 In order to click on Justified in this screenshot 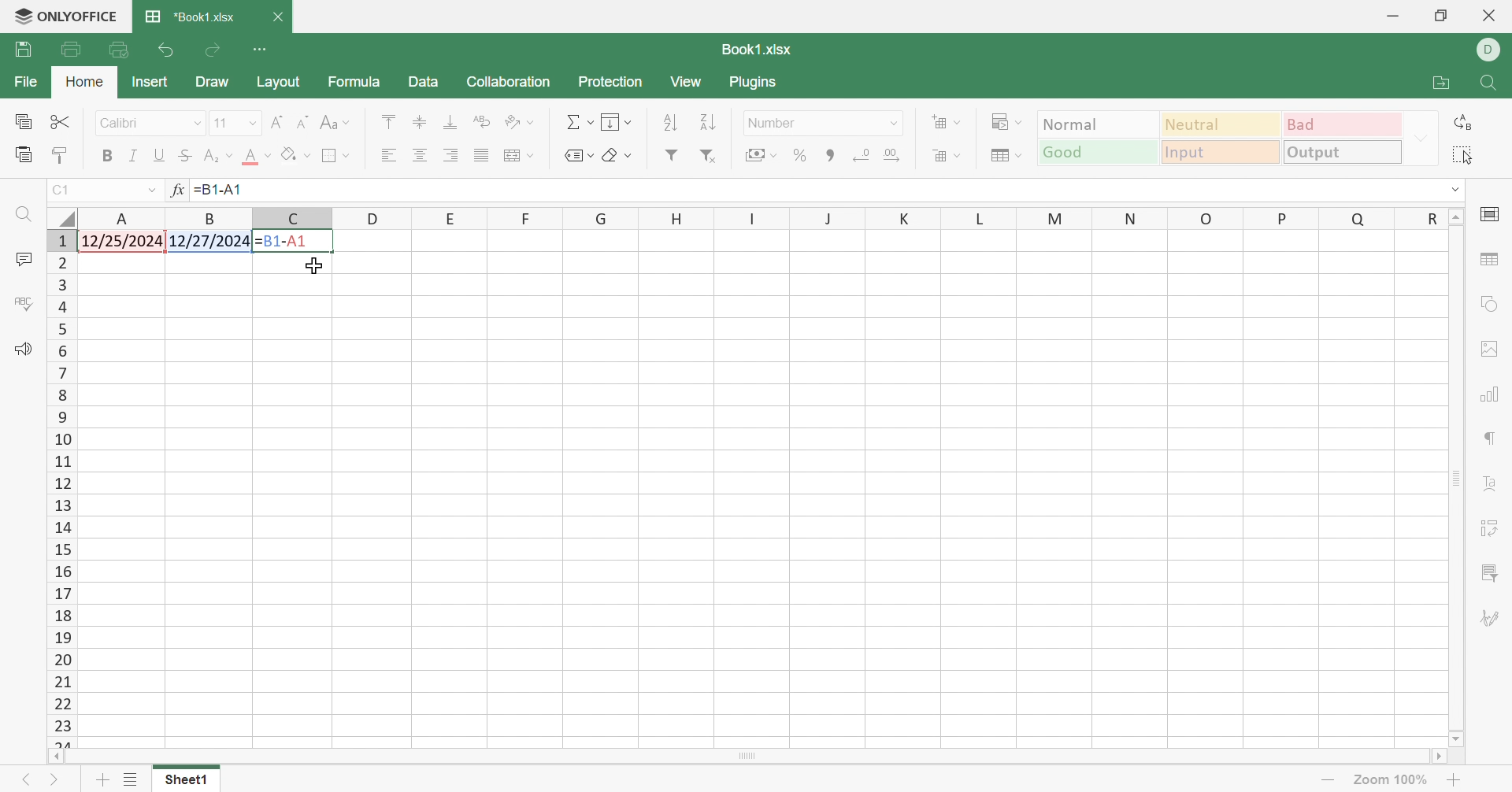, I will do `click(480, 154)`.